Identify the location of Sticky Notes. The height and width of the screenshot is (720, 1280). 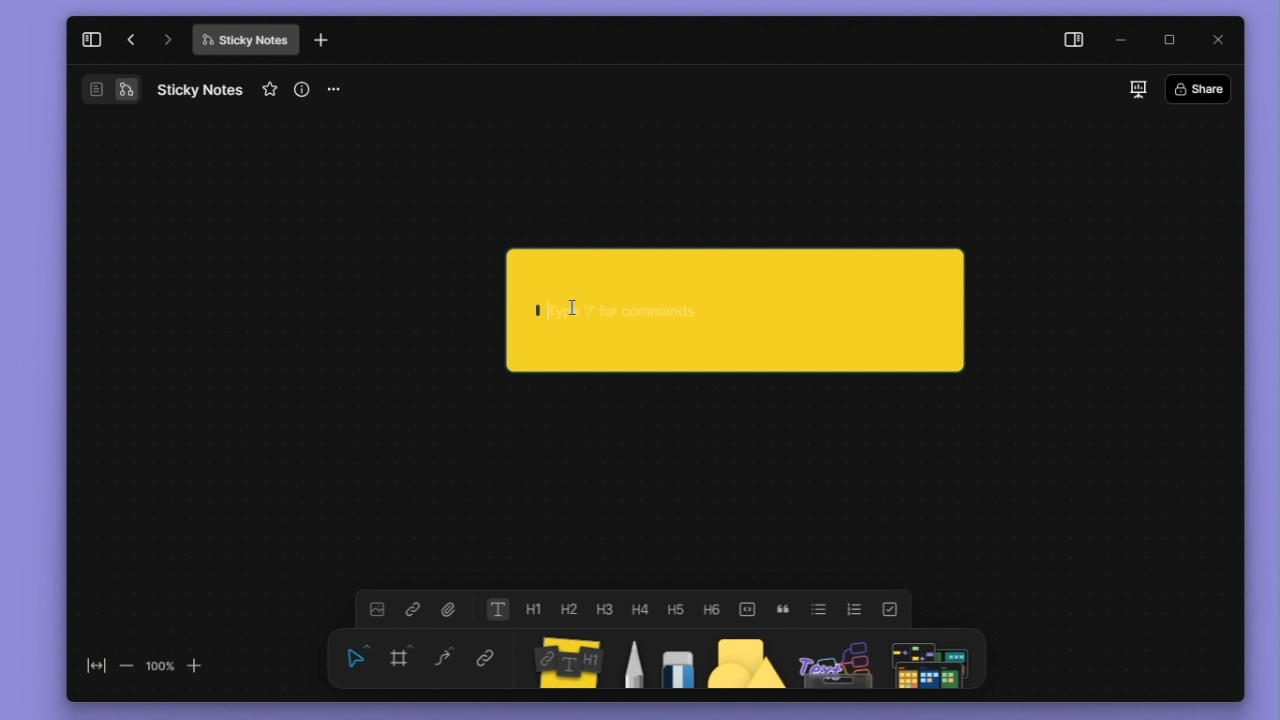
(204, 89).